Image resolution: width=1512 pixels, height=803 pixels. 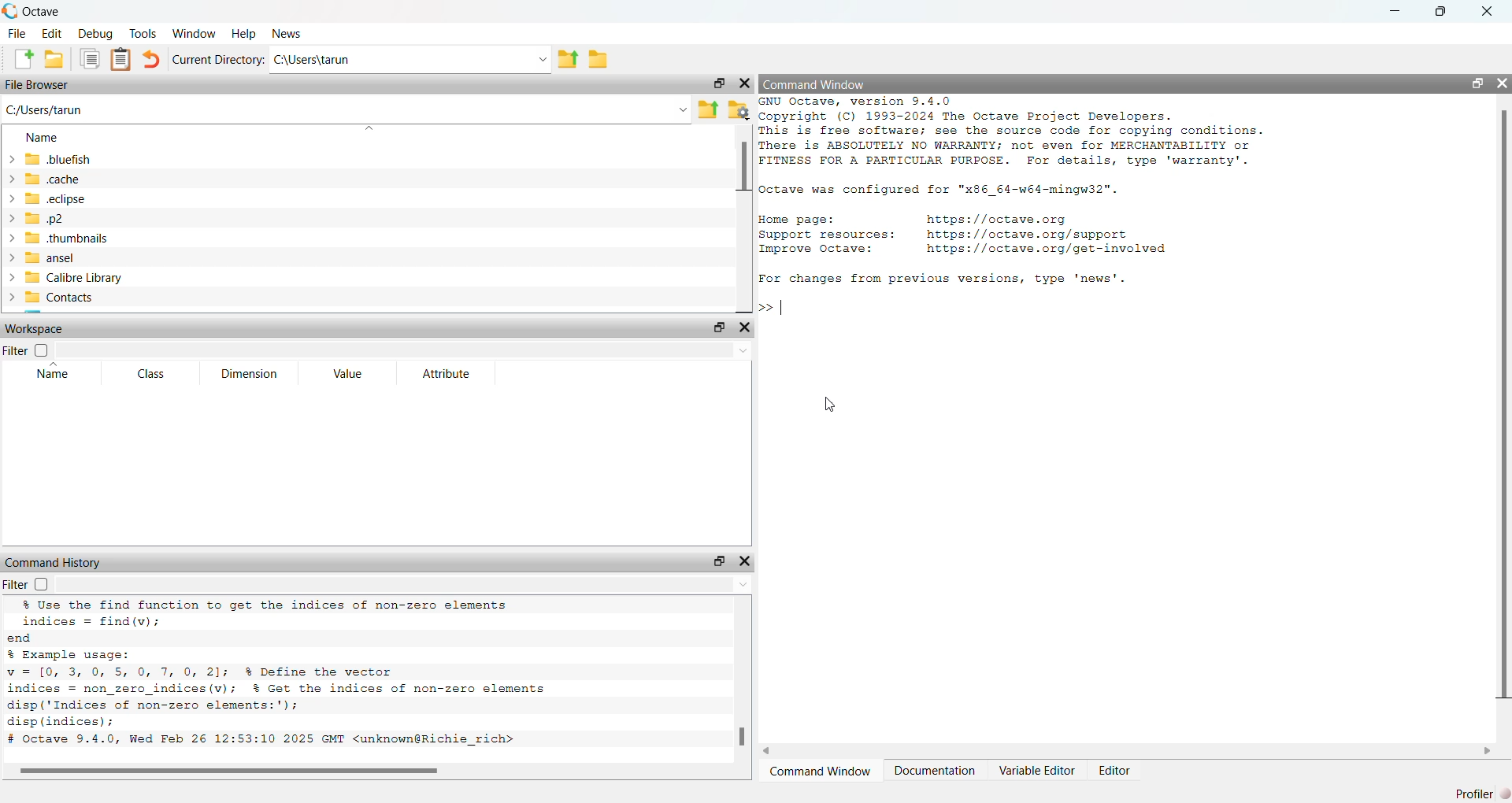 I want to click on Command History, so click(x=56, y=561).